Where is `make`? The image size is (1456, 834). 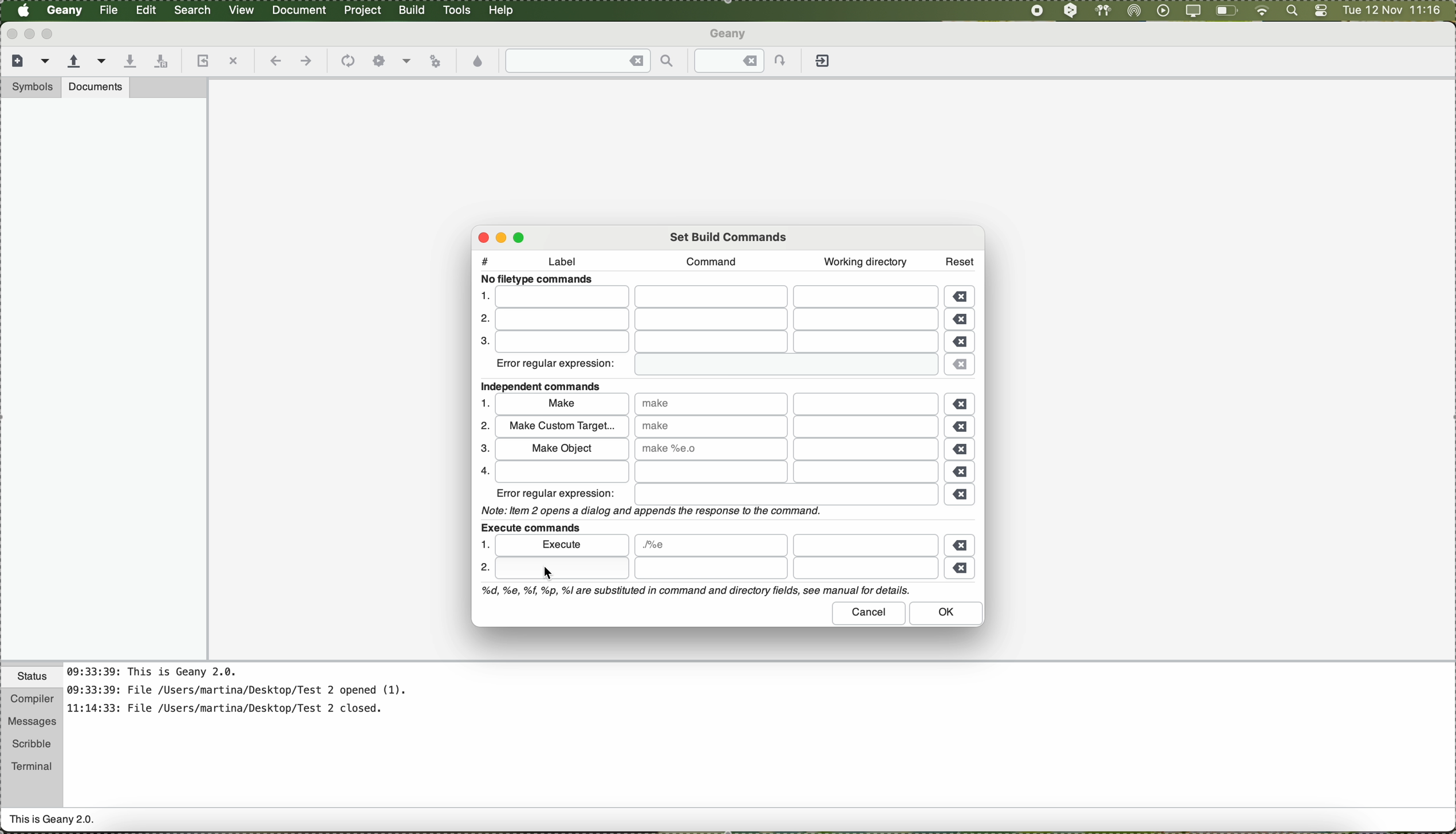 make is located at coordinates (562, 406).